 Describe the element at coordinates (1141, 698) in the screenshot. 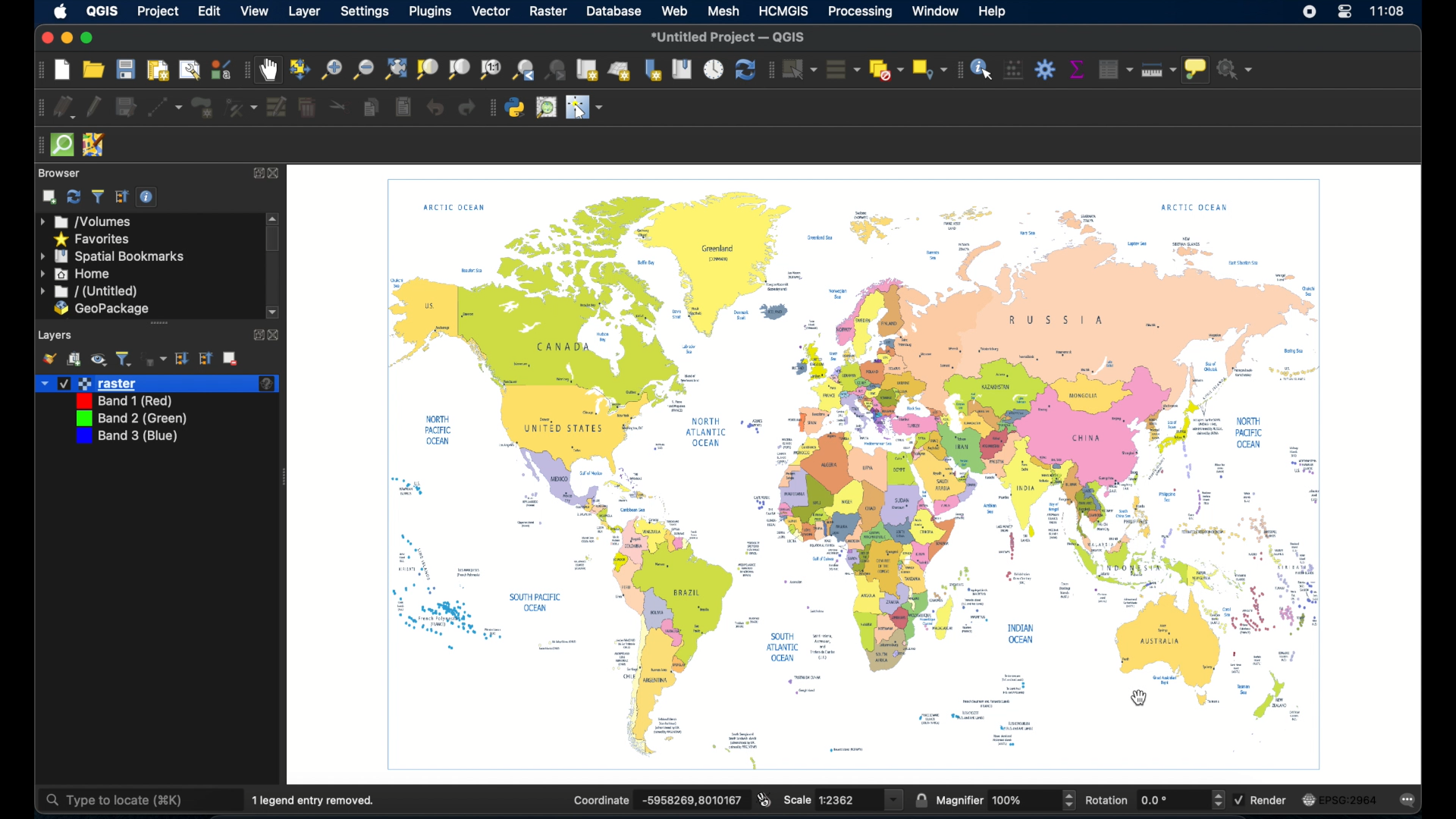

I see `cursor` at that location.